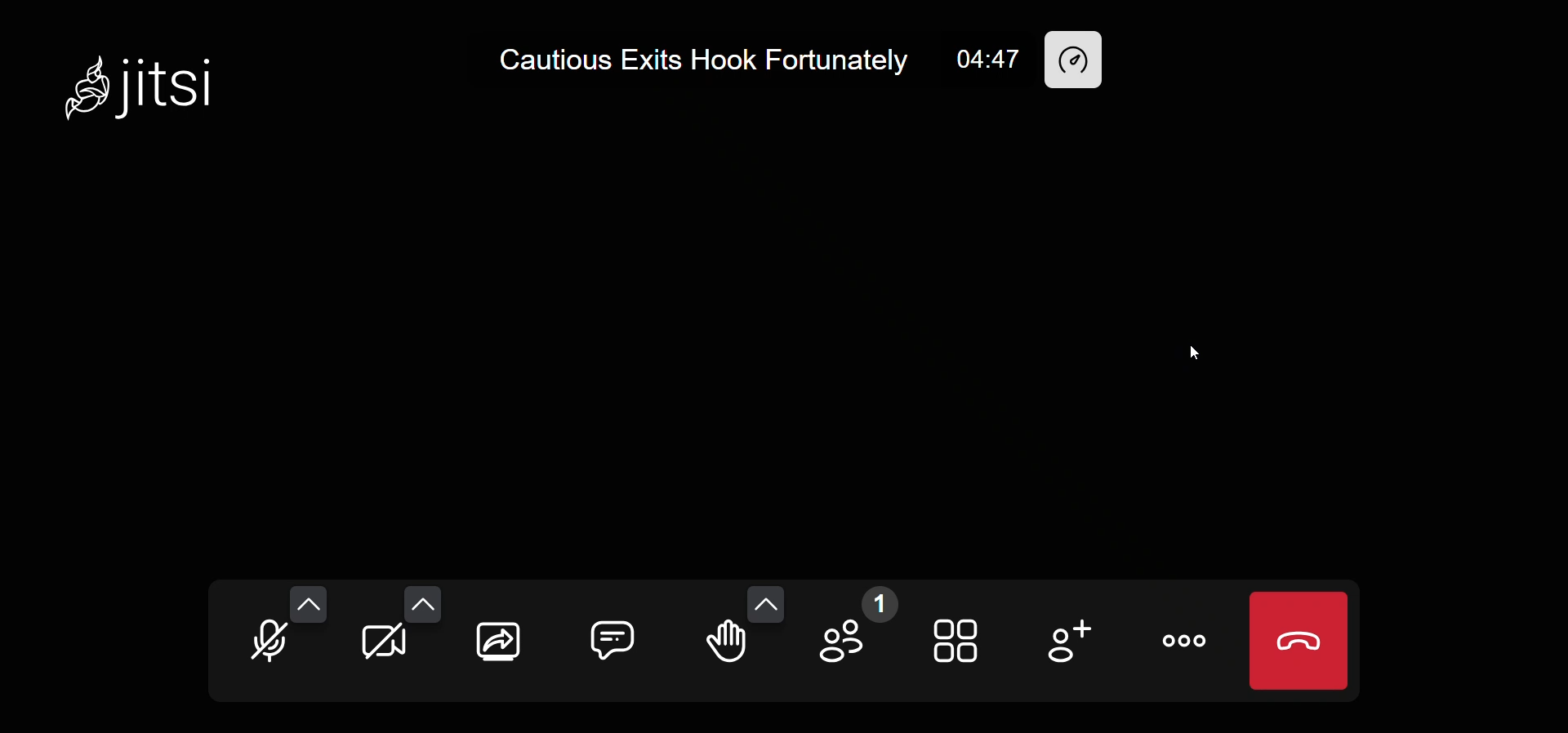 The width and height of the screenshot is (1568, 733). I want to click on performance setting, so click(1078, 59).